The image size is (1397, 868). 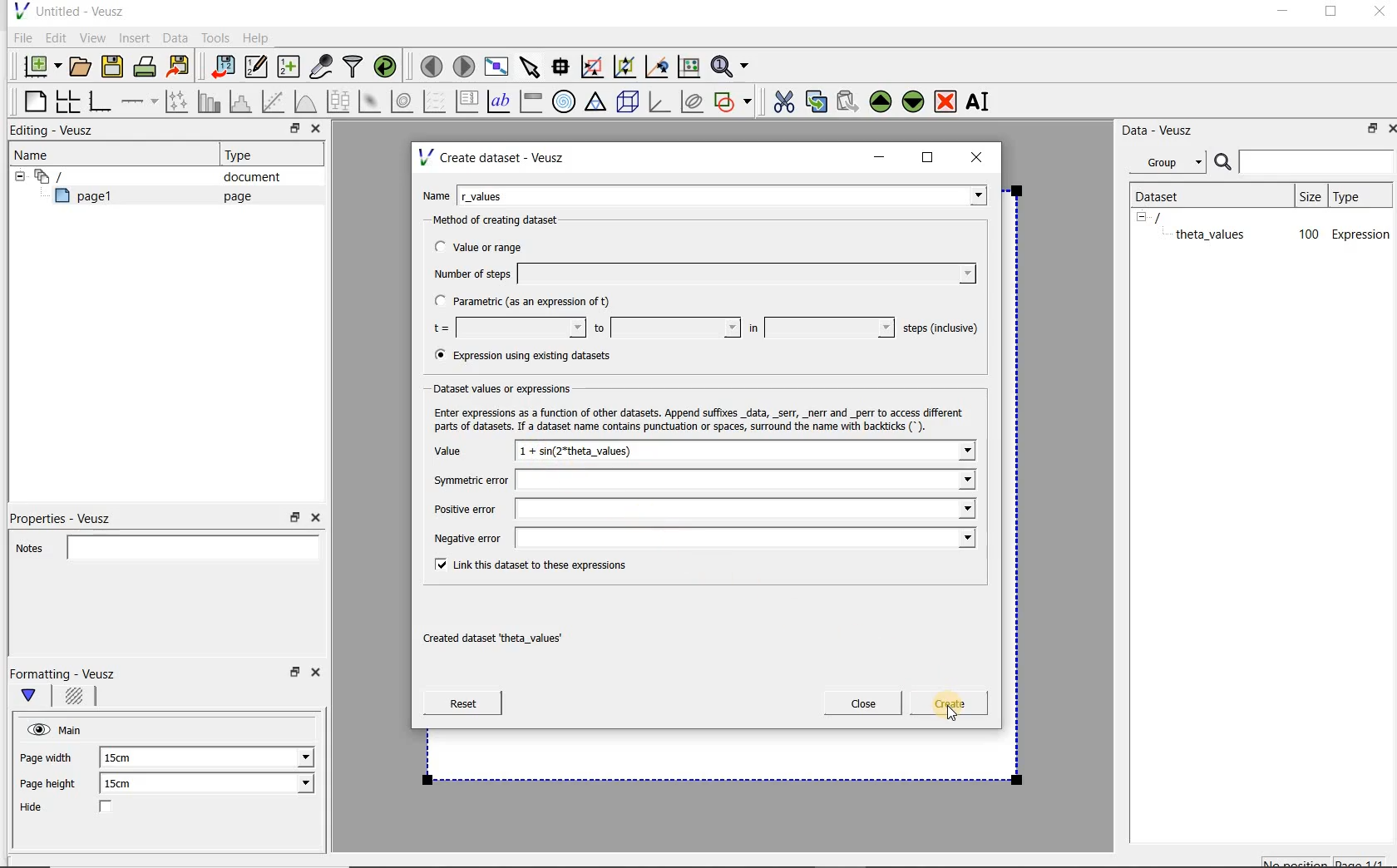 What do you see at coordinates (1305, 160) in the screenshot?
I see `Search bar` at bounding box center [1305, 160].